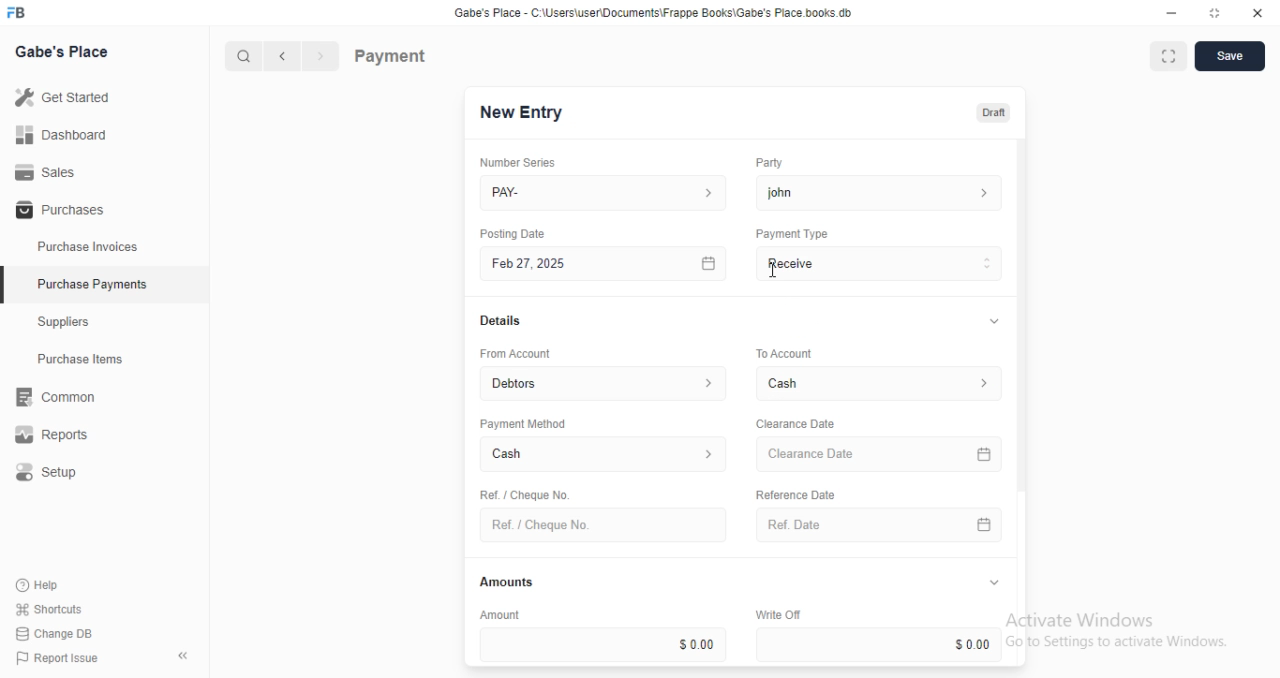 This screenshot has width=1280, height=678. I want to click on search, so click(245, 57).